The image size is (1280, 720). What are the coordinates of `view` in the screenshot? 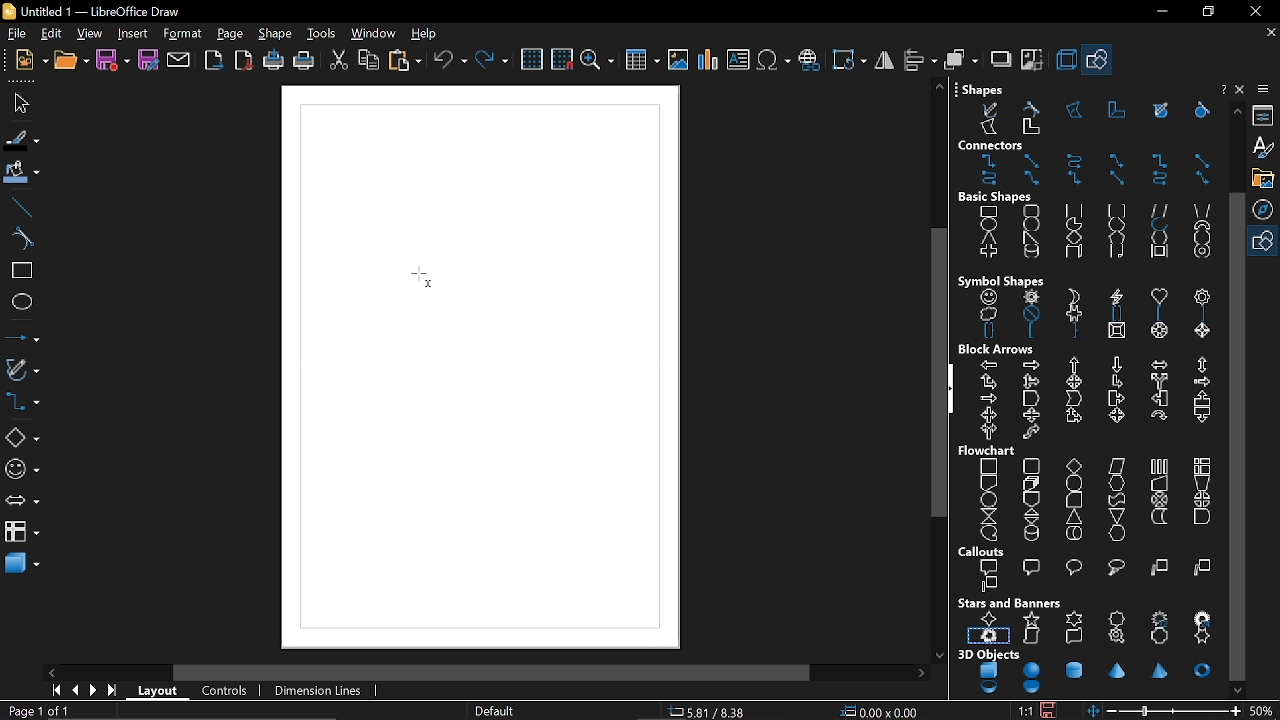 It's located at (92, 34).